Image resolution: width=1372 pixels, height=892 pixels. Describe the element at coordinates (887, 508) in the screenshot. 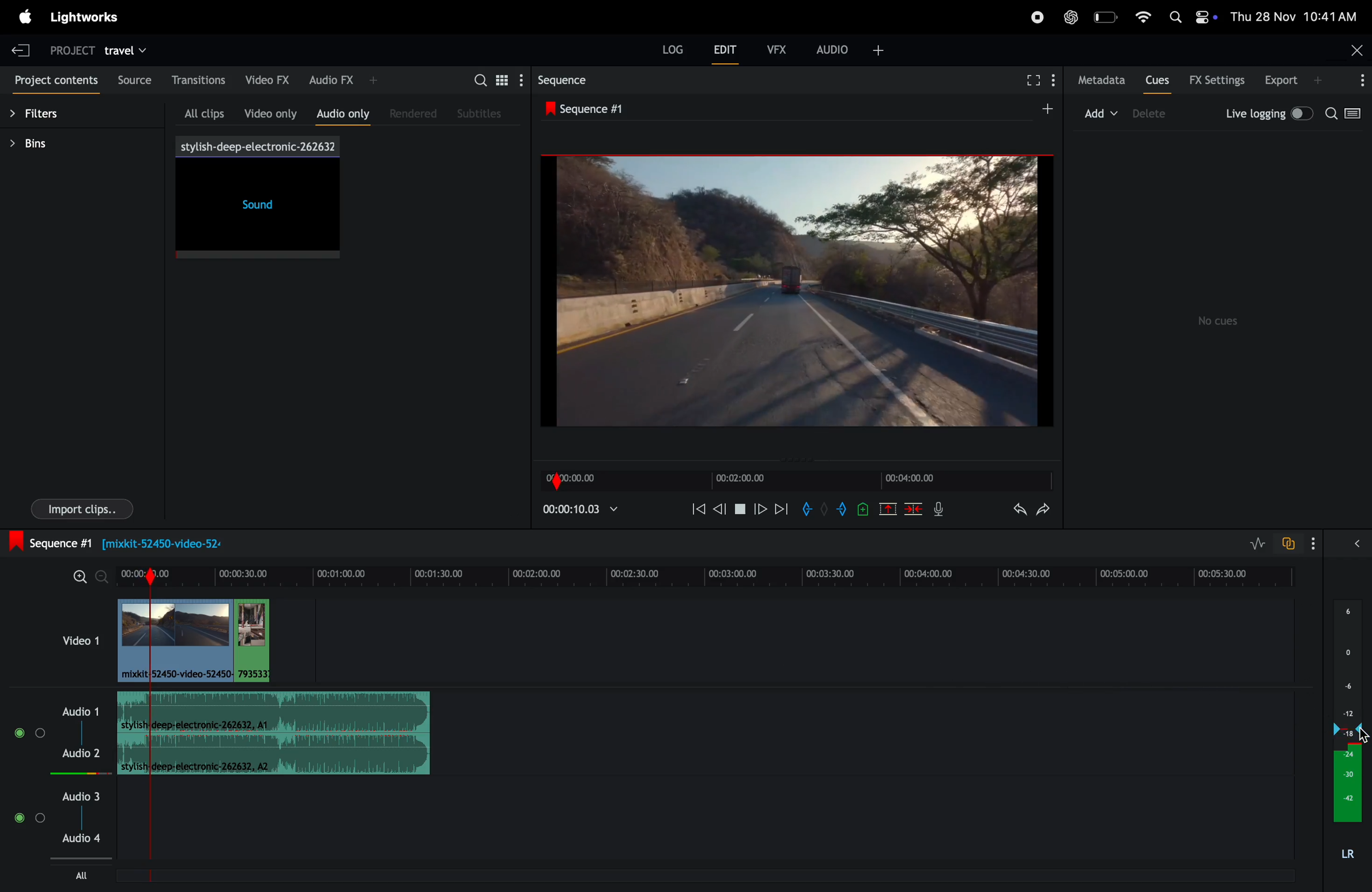

I see `remove marked position` at that location.